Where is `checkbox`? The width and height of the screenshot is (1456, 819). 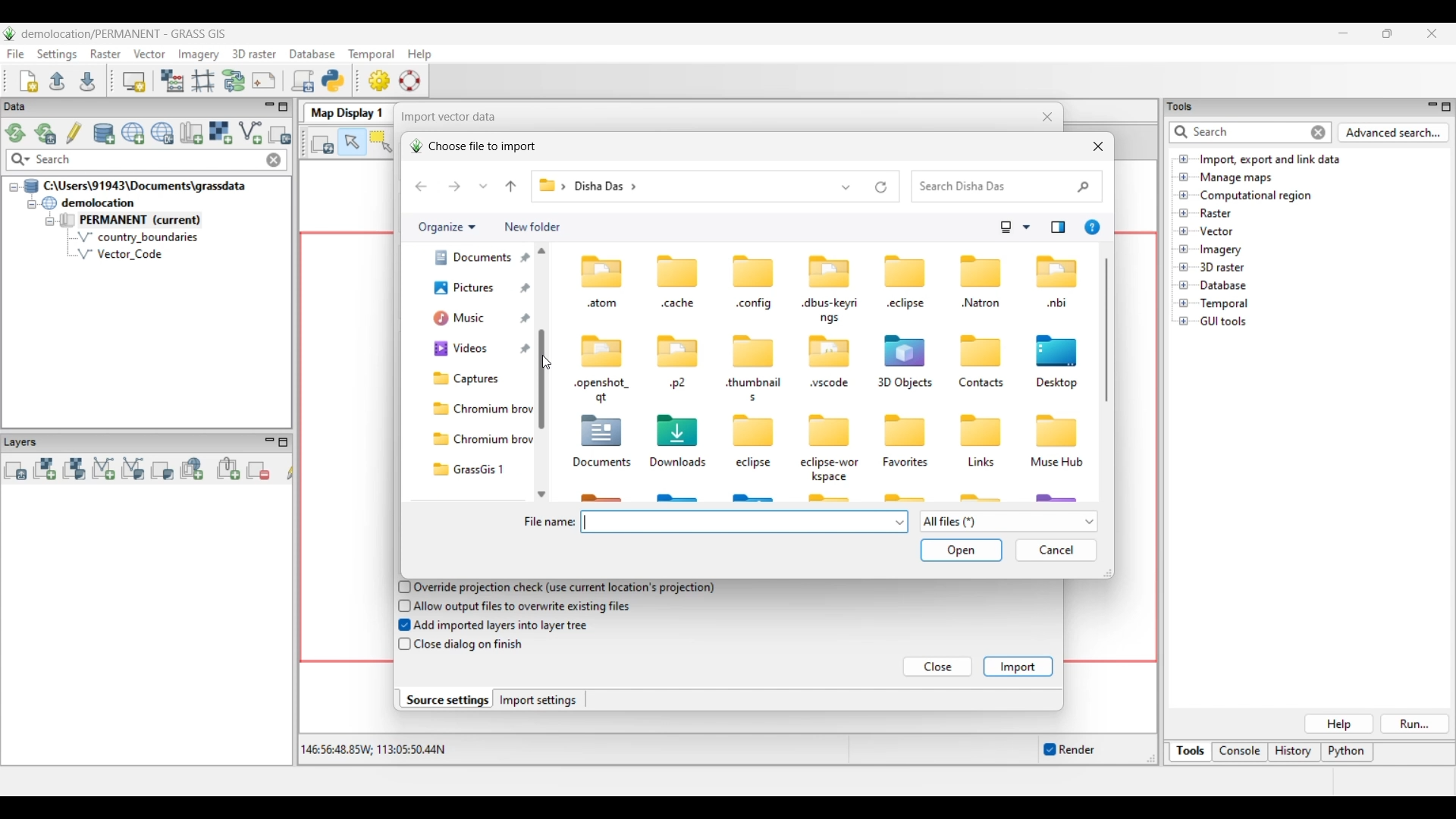
checkbox is located at coordinates (401, 605).